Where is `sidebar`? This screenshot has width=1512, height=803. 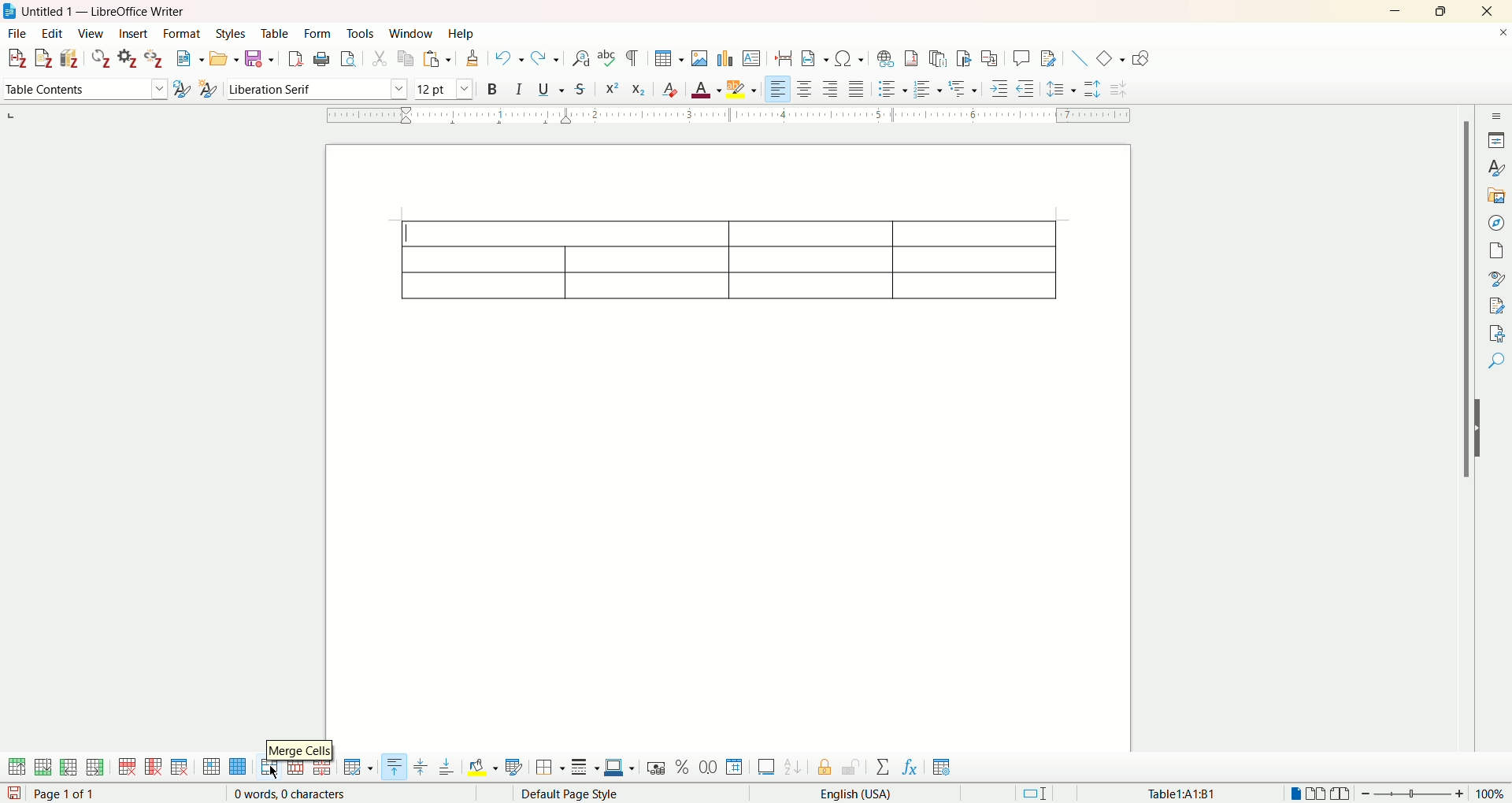
sidebar is located at coordinates (1498, 117).